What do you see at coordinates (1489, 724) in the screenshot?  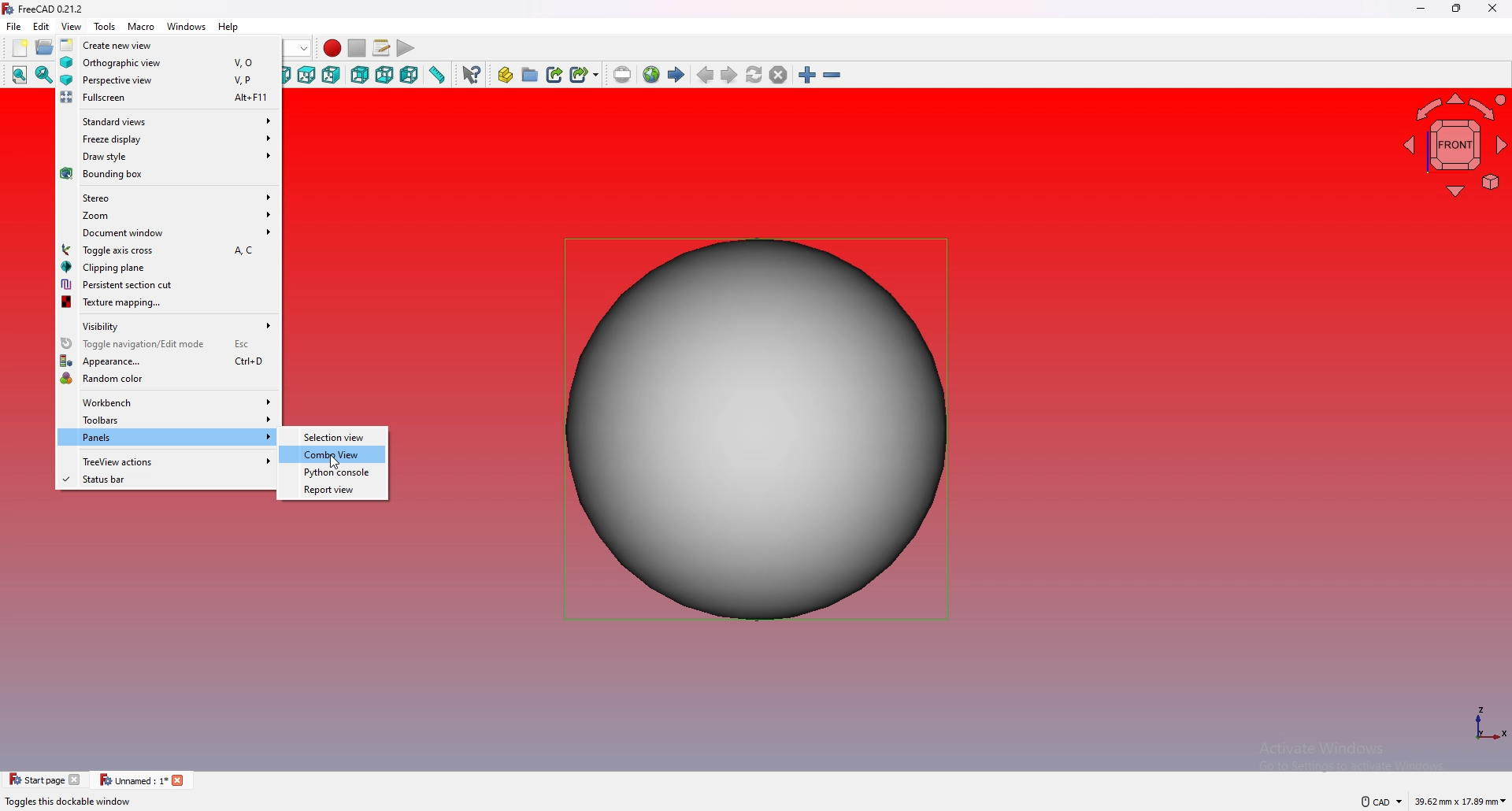 I see `axis` at bounding box center [1489, 724].